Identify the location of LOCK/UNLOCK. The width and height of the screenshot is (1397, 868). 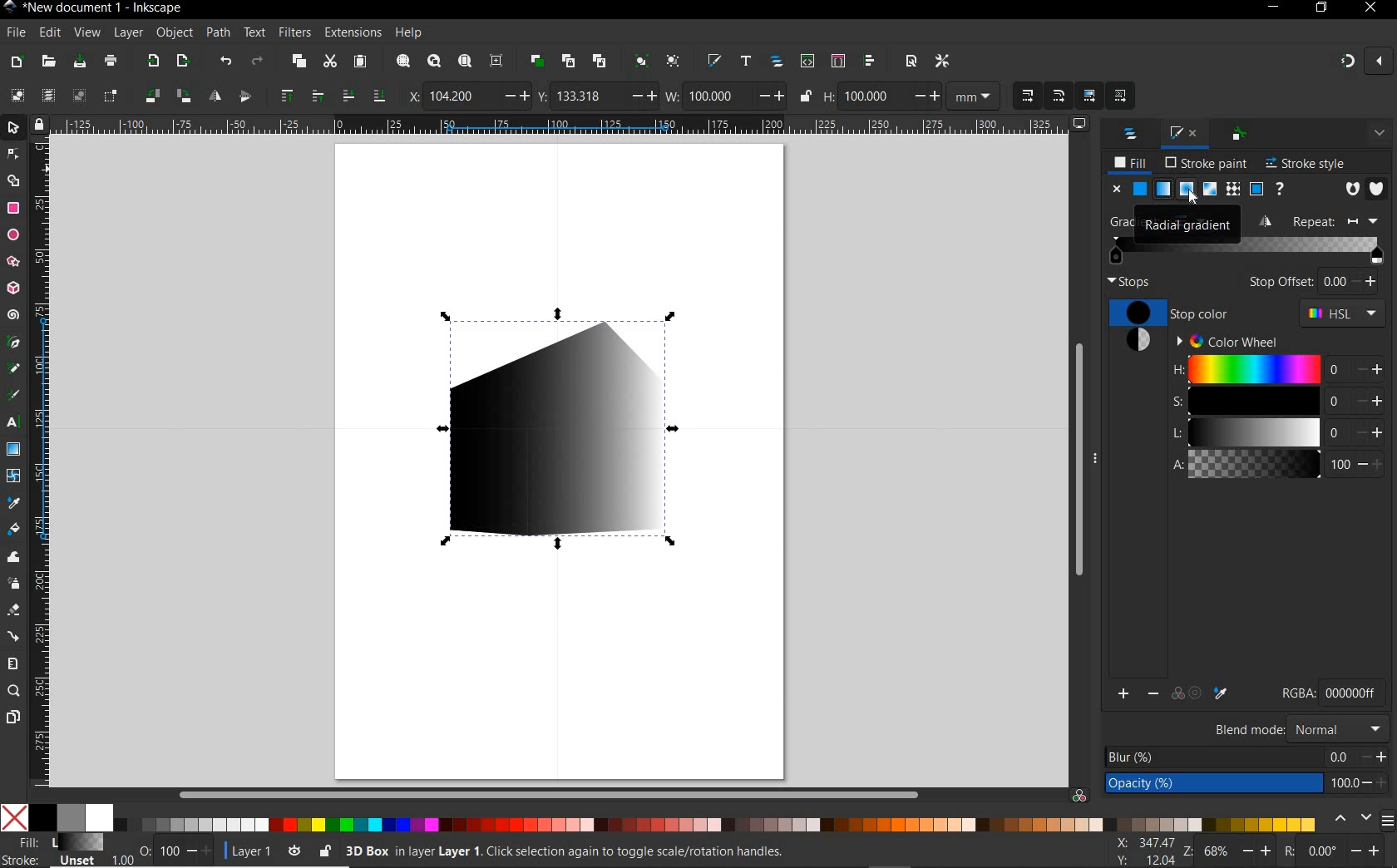
(807, 96).